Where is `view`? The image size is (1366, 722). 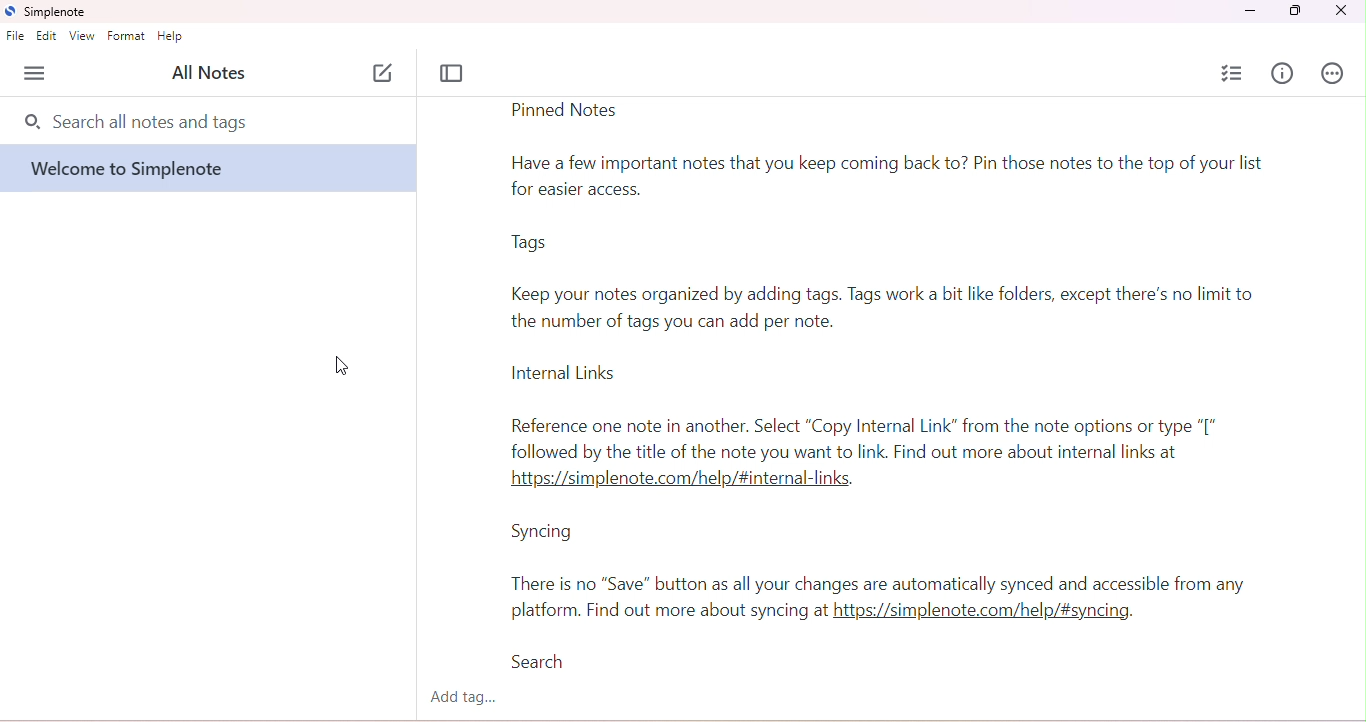
view is located at coordinates (83, 36).